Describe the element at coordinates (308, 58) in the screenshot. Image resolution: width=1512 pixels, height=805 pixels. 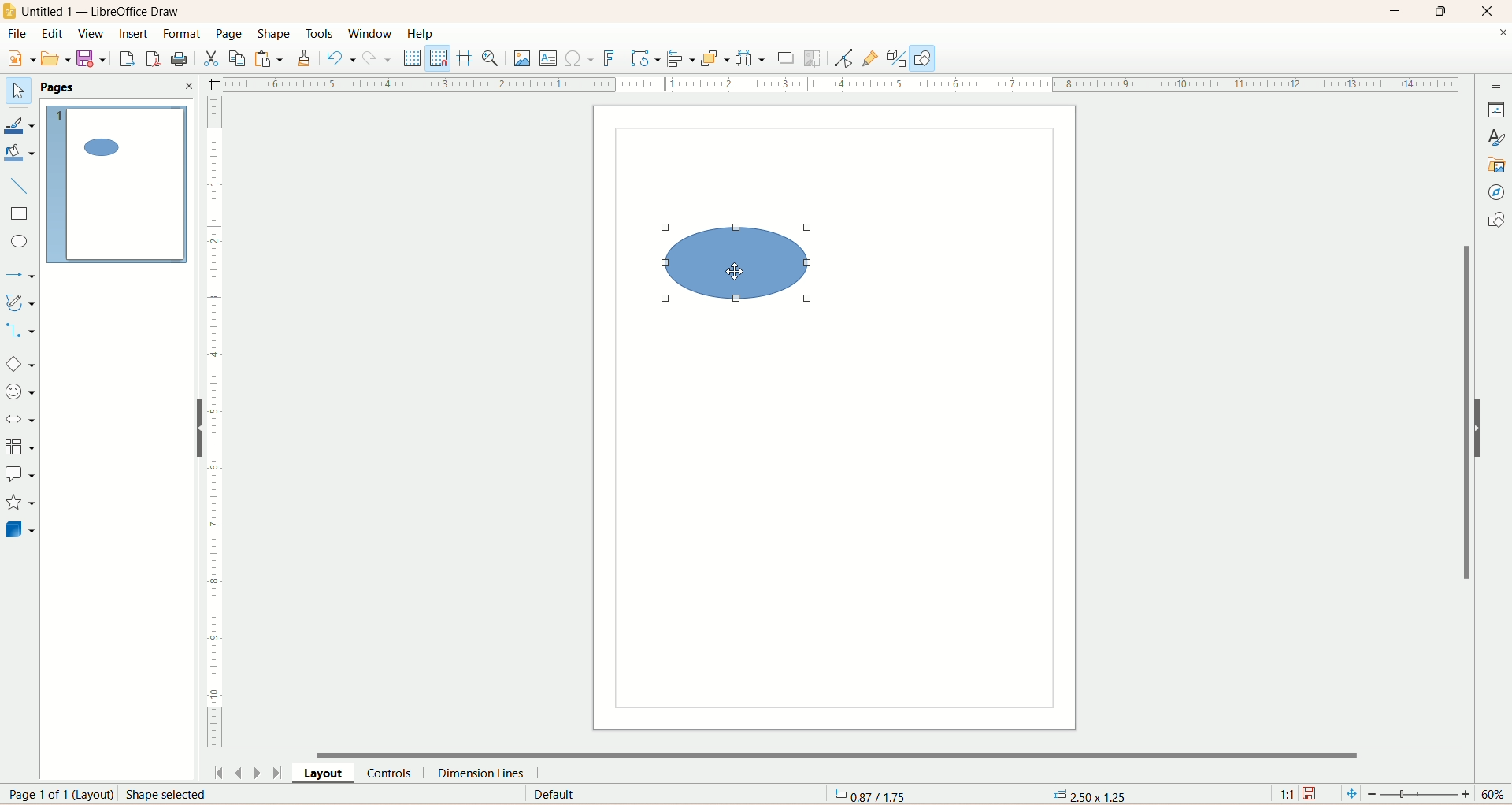
I see `clone formatting` at that location.